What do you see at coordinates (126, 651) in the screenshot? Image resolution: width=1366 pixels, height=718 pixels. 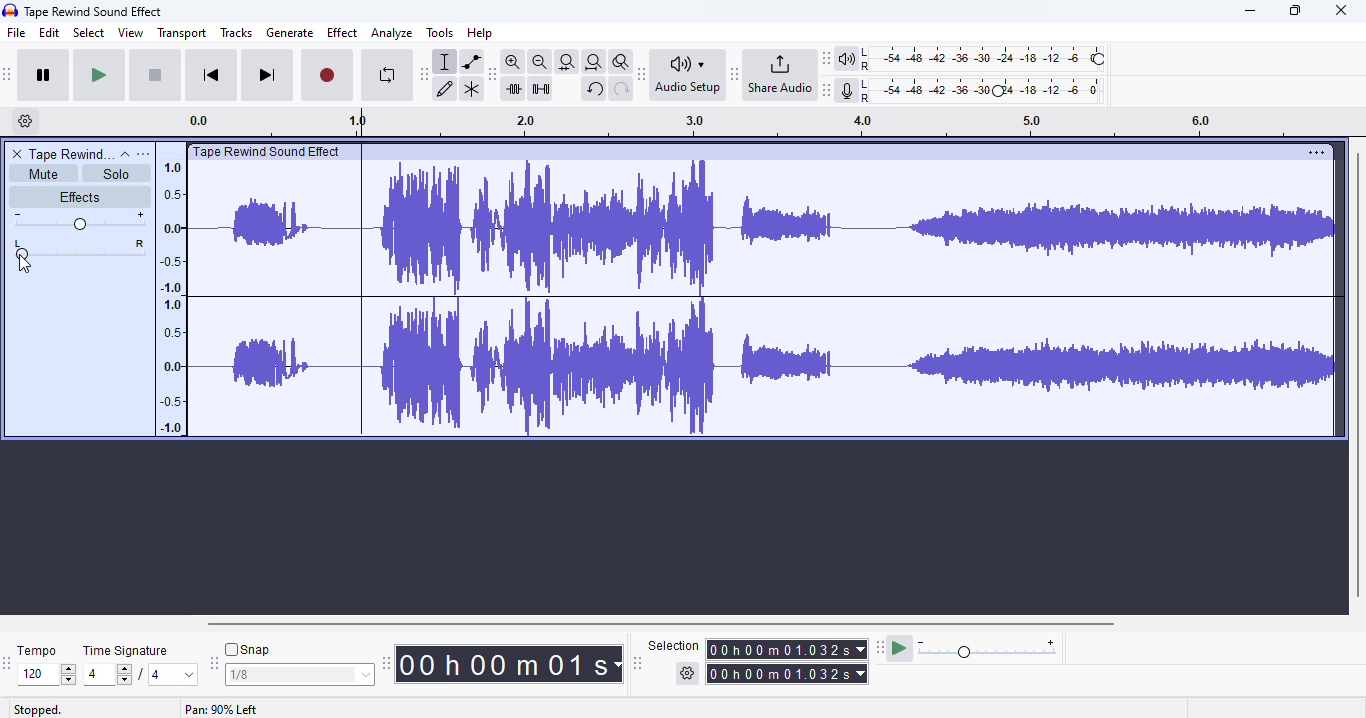 I see `time signature` at bounding box center [126, 651].